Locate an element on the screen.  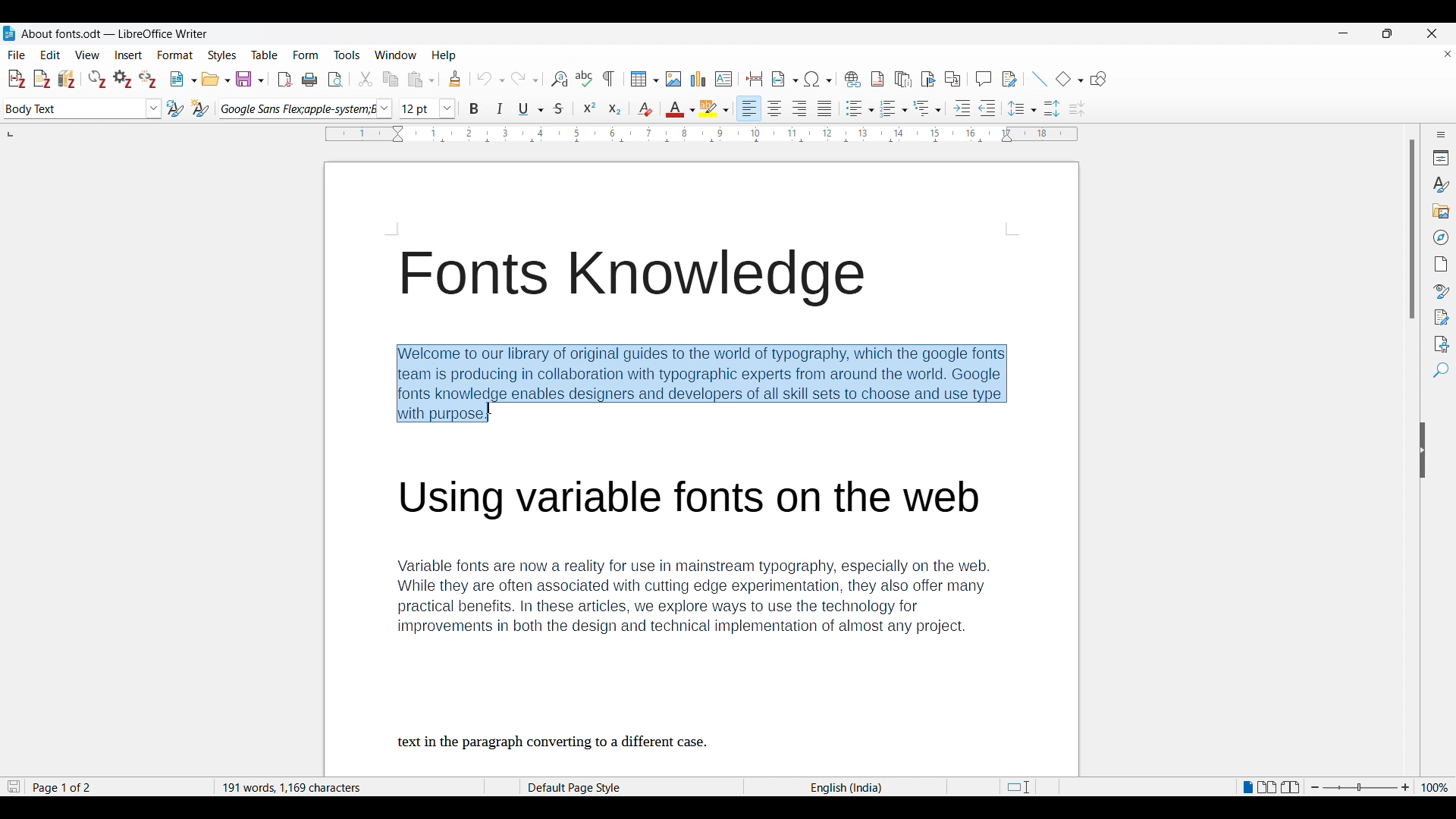
Right alignment is located at coordinates (799, 108).